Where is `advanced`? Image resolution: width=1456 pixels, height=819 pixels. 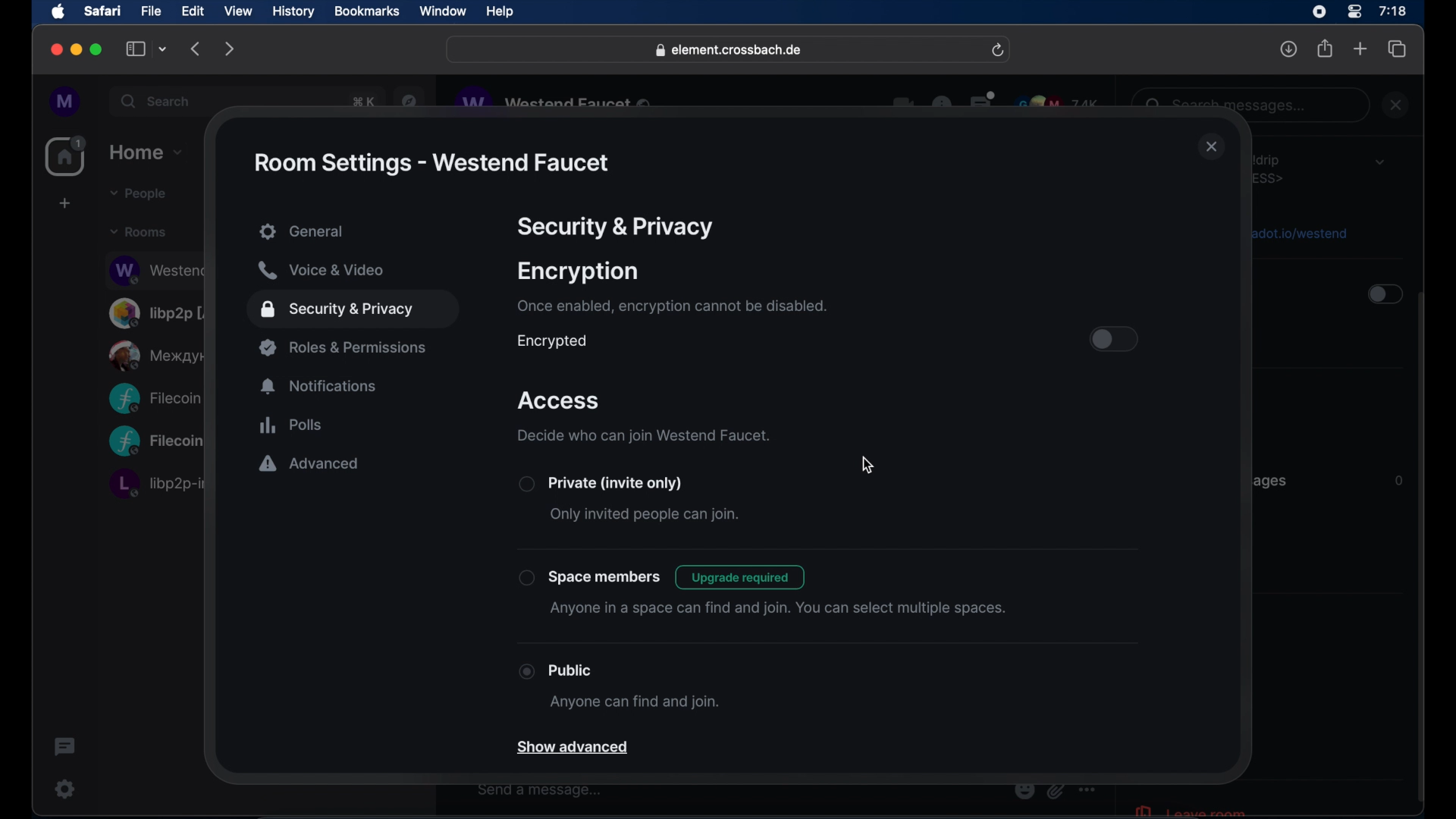
advanced is located at coordinates (309, 465).